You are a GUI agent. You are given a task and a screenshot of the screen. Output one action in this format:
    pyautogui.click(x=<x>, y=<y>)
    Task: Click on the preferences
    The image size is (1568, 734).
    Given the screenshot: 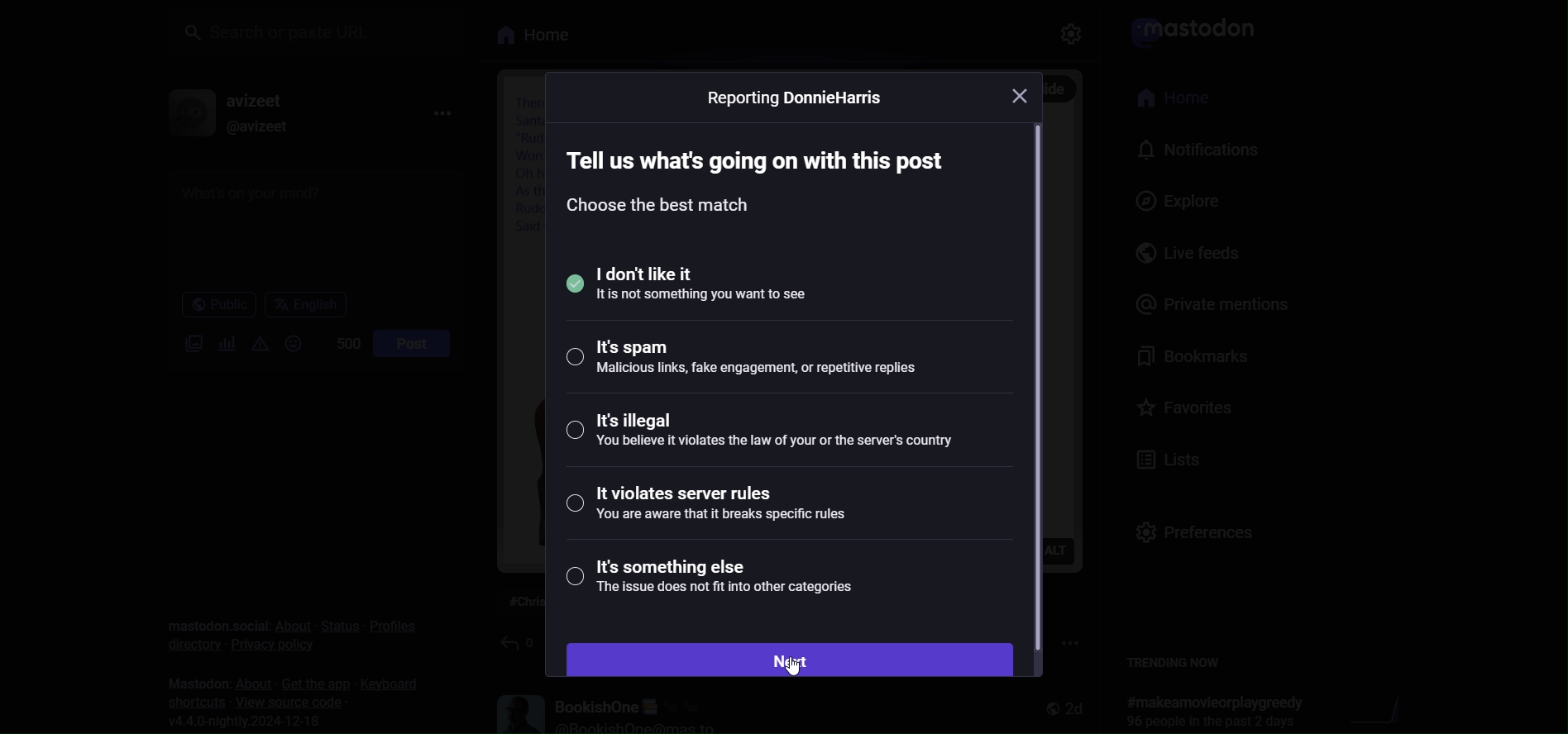 What is the action you would take?
    pyautogui.click(x=1192, y=526)
    